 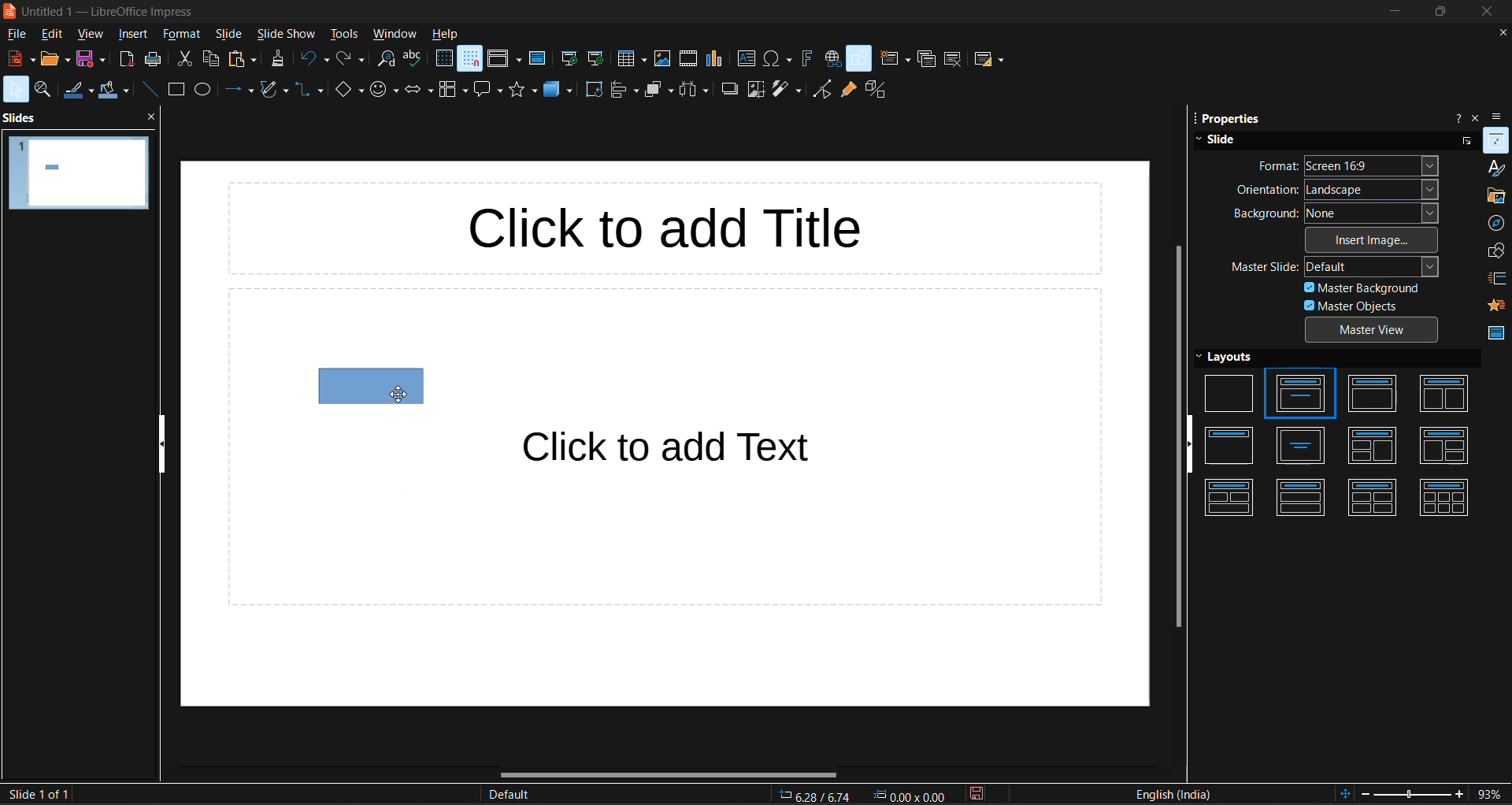 I want to click on click to save, so click(x=984, y=794).